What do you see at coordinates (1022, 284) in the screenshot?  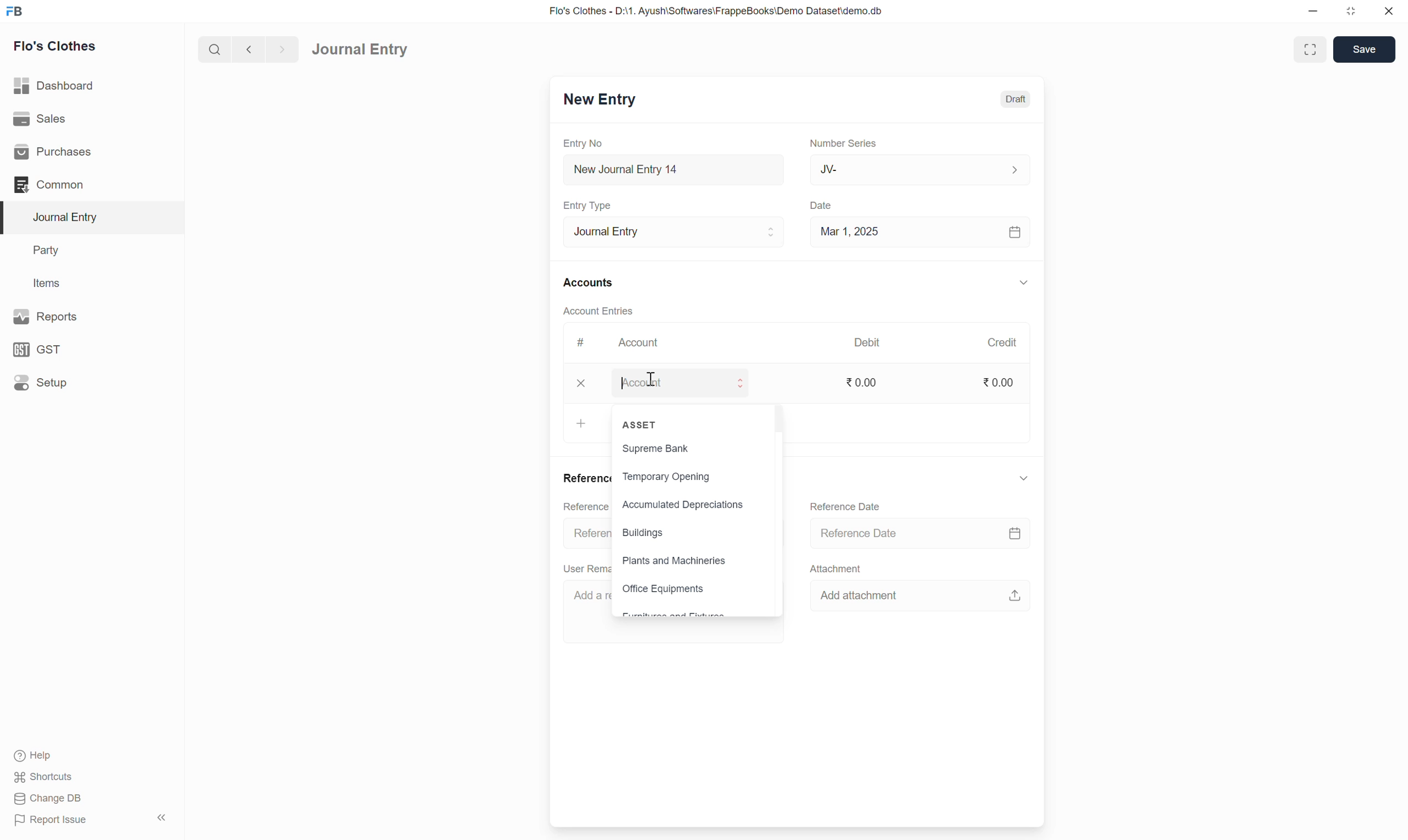 I see `down` at bounding box center [1022, 284].